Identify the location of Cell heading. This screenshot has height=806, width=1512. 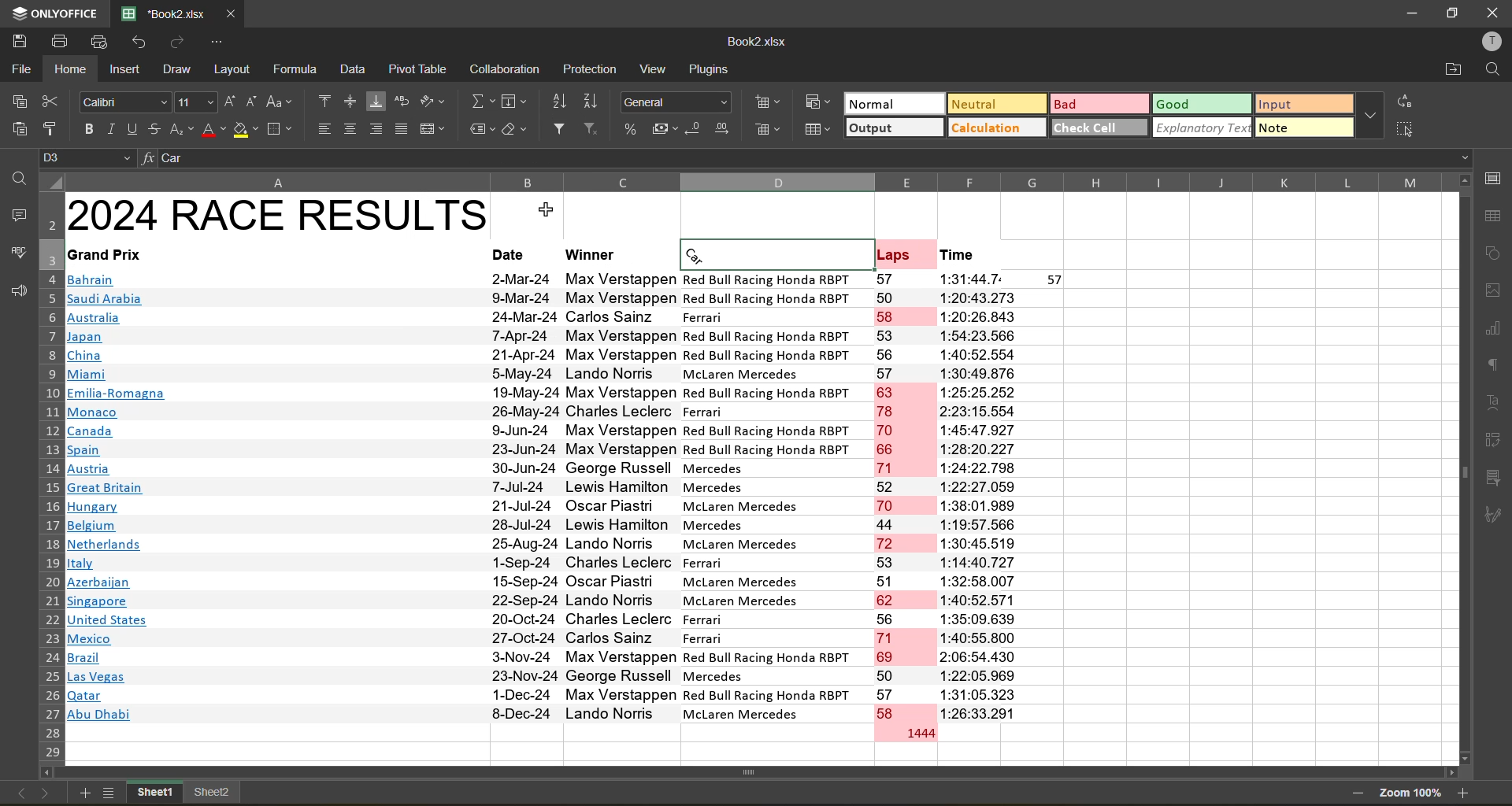
(537, 250).